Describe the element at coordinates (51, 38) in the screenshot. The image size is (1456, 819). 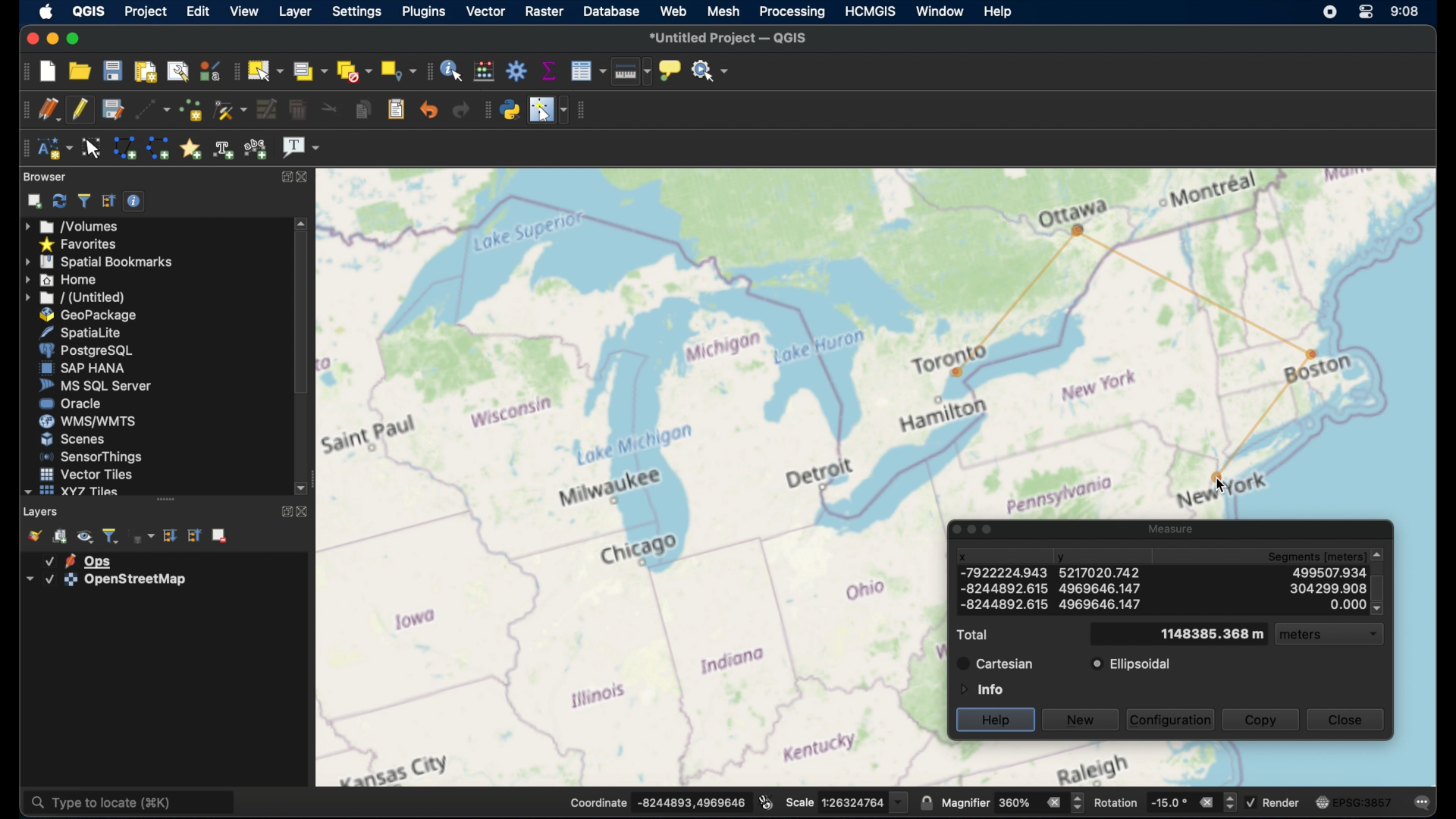
I see `minimize` at that location.